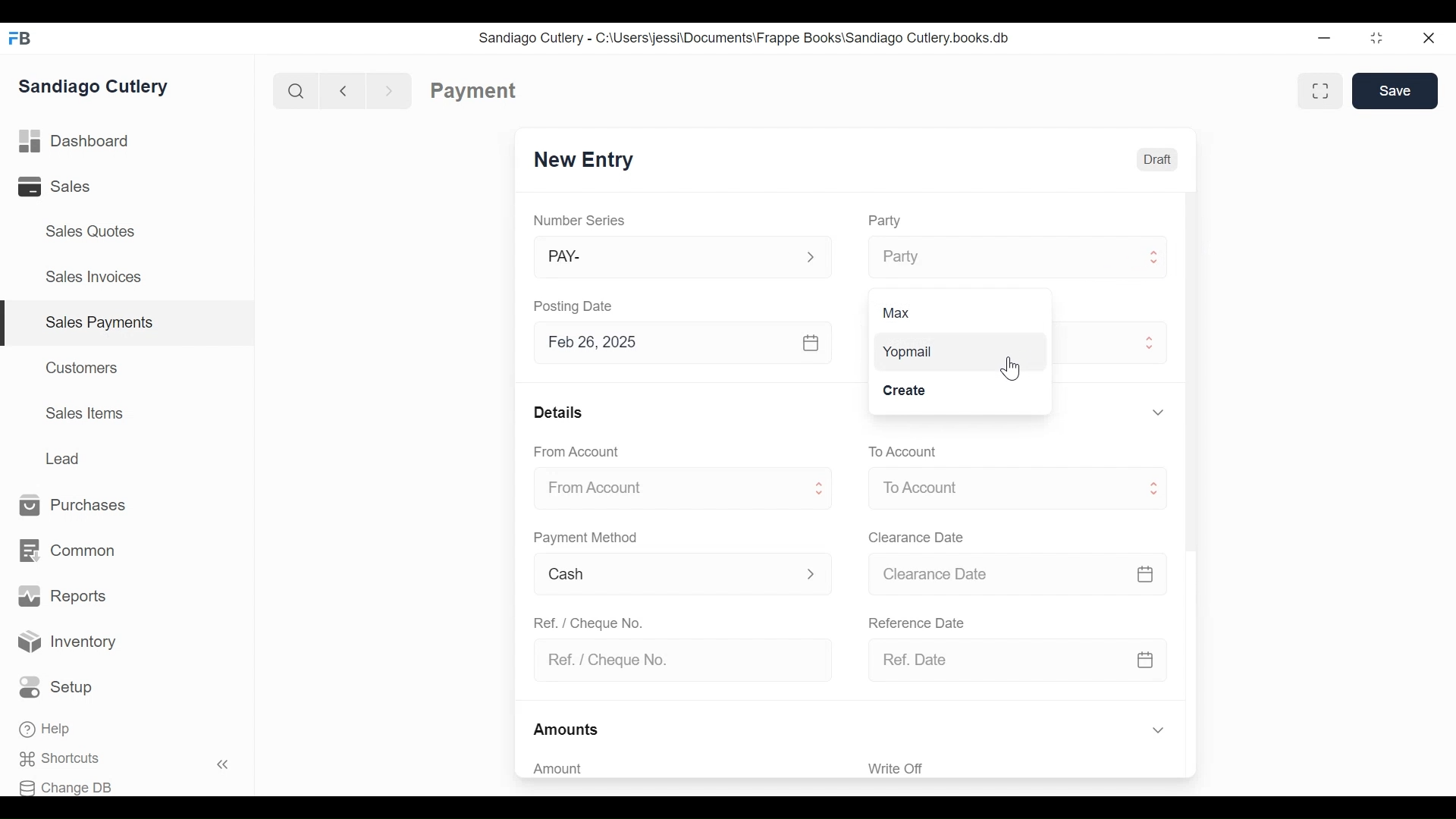 The image size is (1456, 819). I want to click on Toggle form and full width , so click(1326, 88).